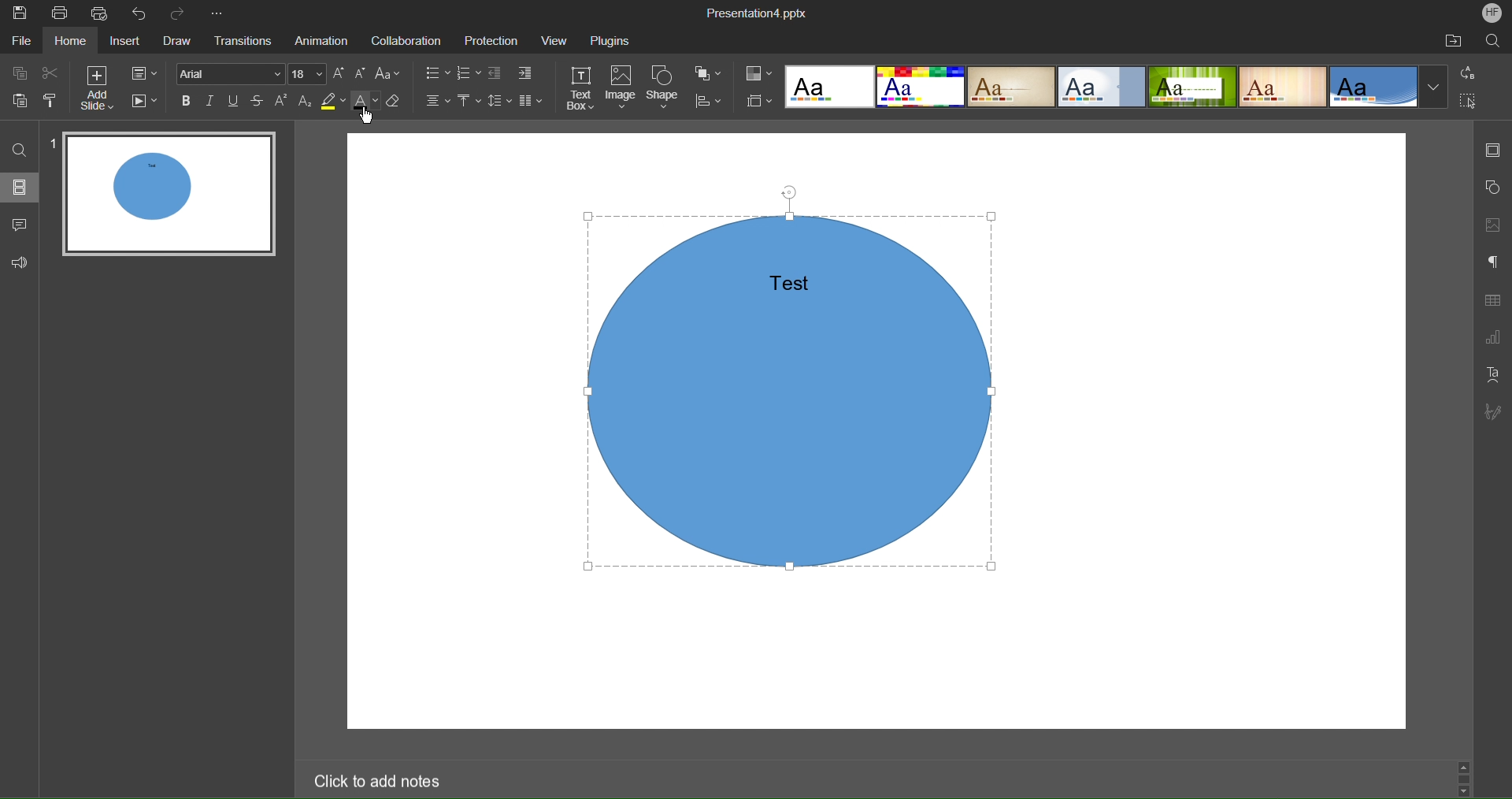  I want to click on Color, so click(758, 75).